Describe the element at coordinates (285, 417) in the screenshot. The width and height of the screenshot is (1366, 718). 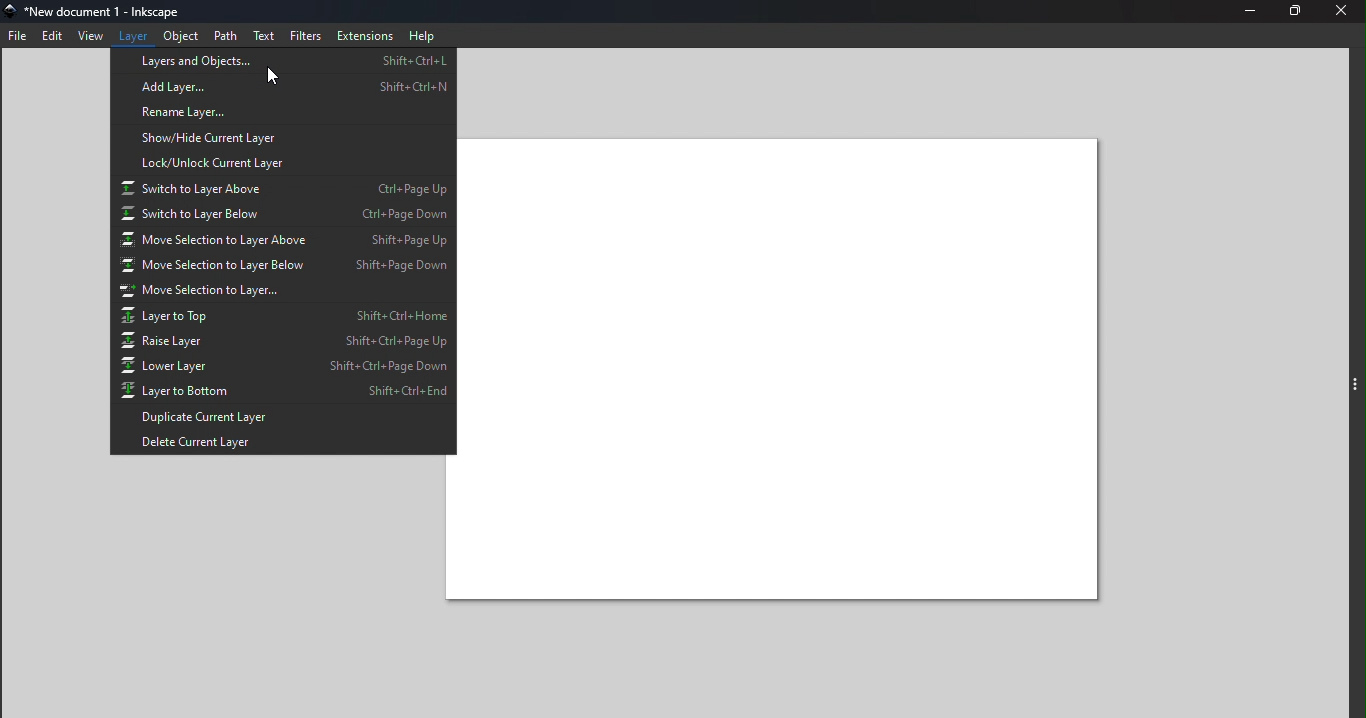
I see `Duplicate current layer` at that location.